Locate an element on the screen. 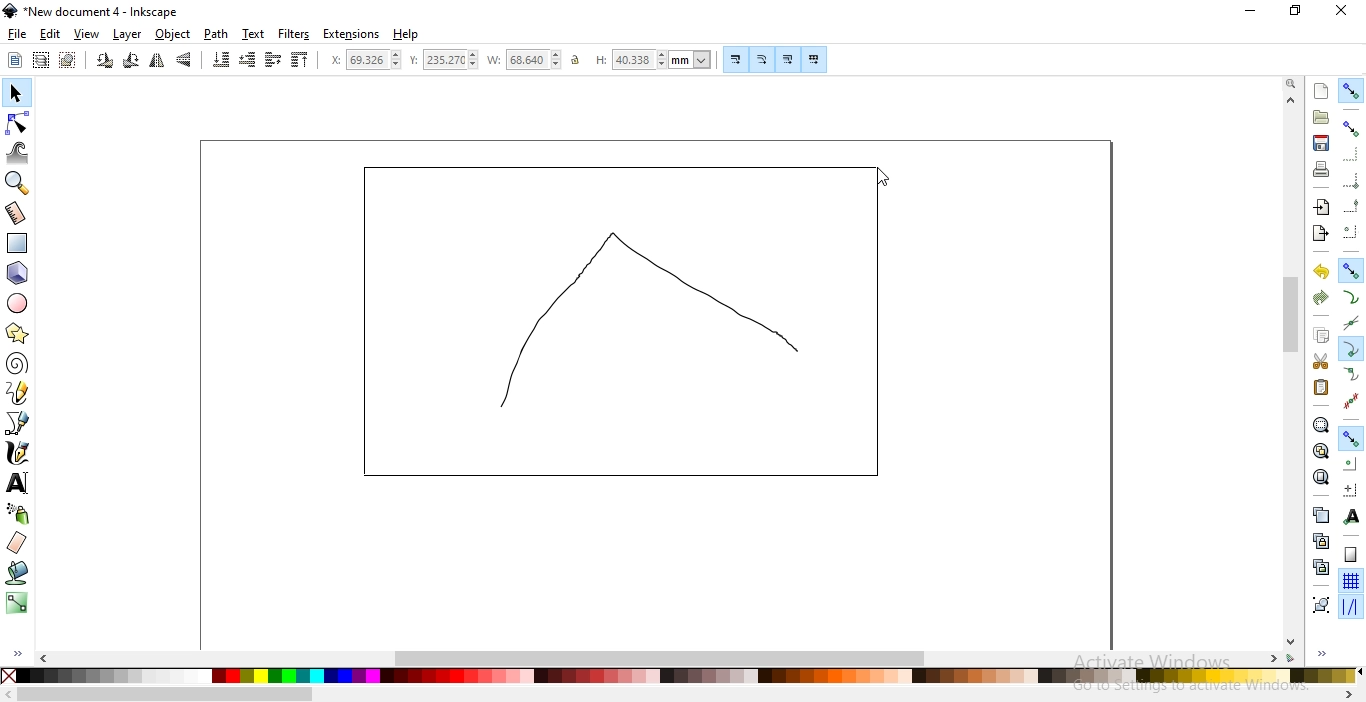 The width and height of the screenshot is (1366, 702).  is located at coordinates (787, 59).